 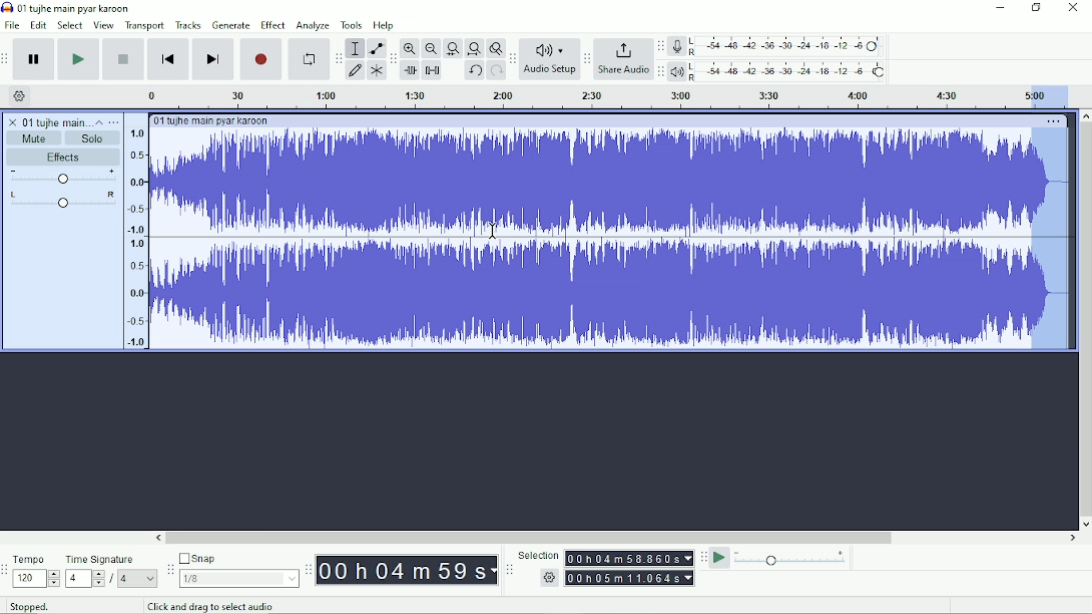 I want to click on 120, so click(x=37, y=578).